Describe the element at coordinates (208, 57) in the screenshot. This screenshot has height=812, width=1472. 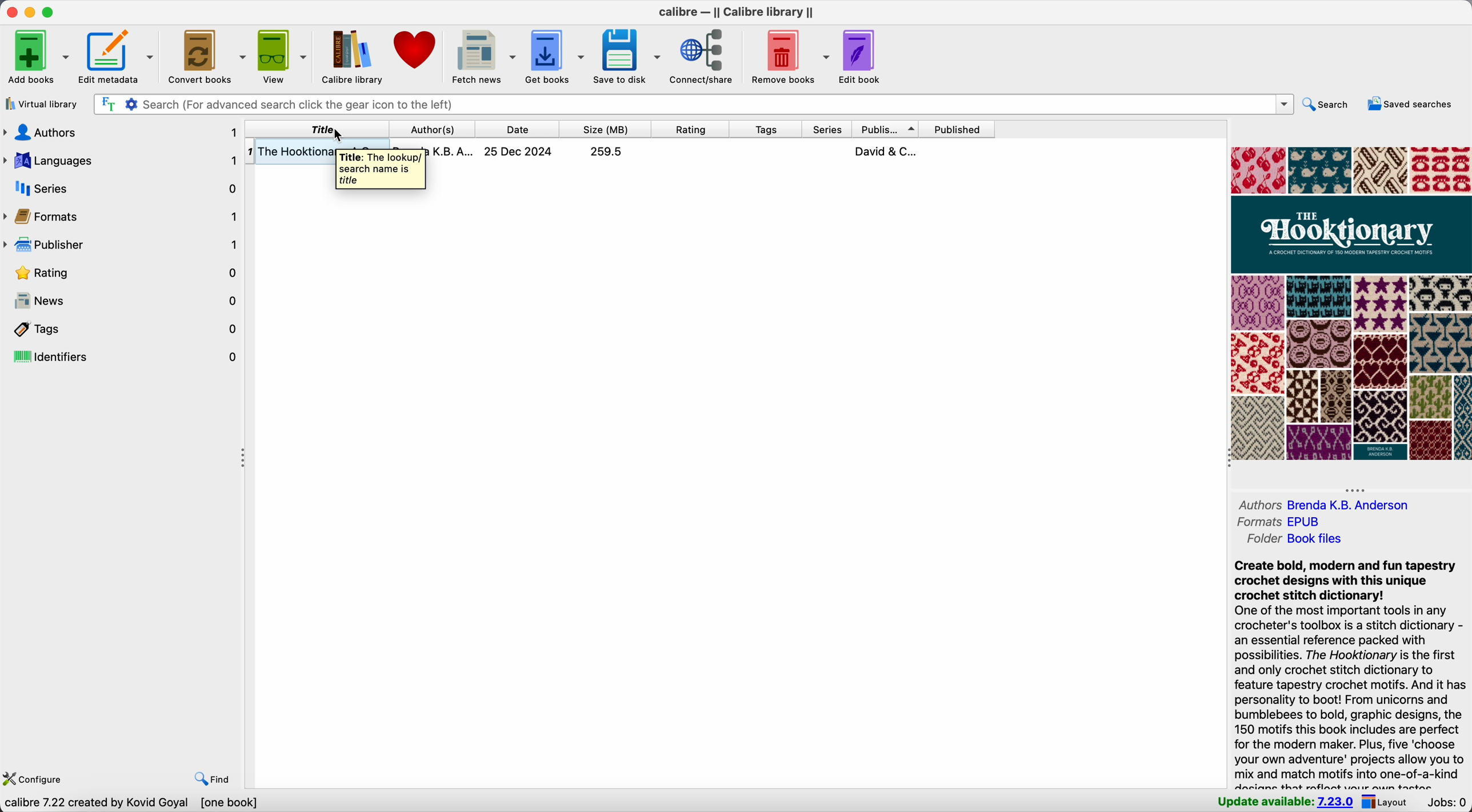
I see `convert. books` at that location.